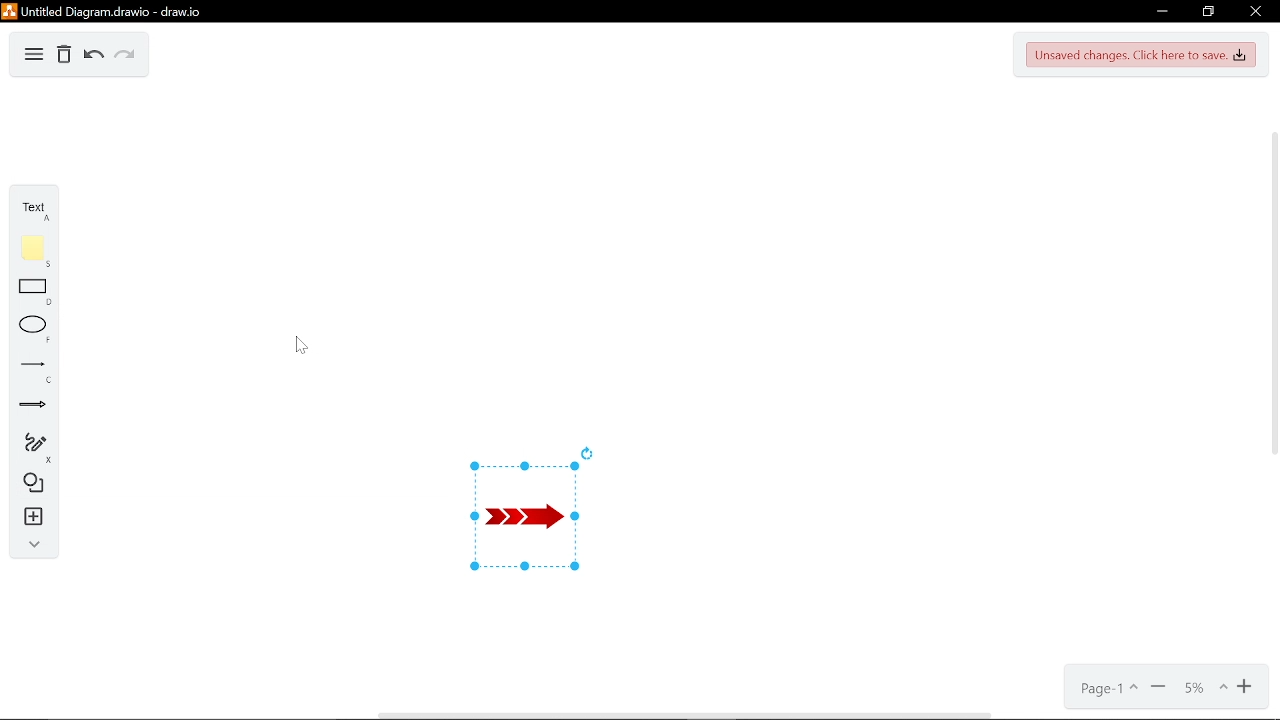 The width and height of the screenshot is (1280, 720). I want to click on Restore down, so click(1208, 11).